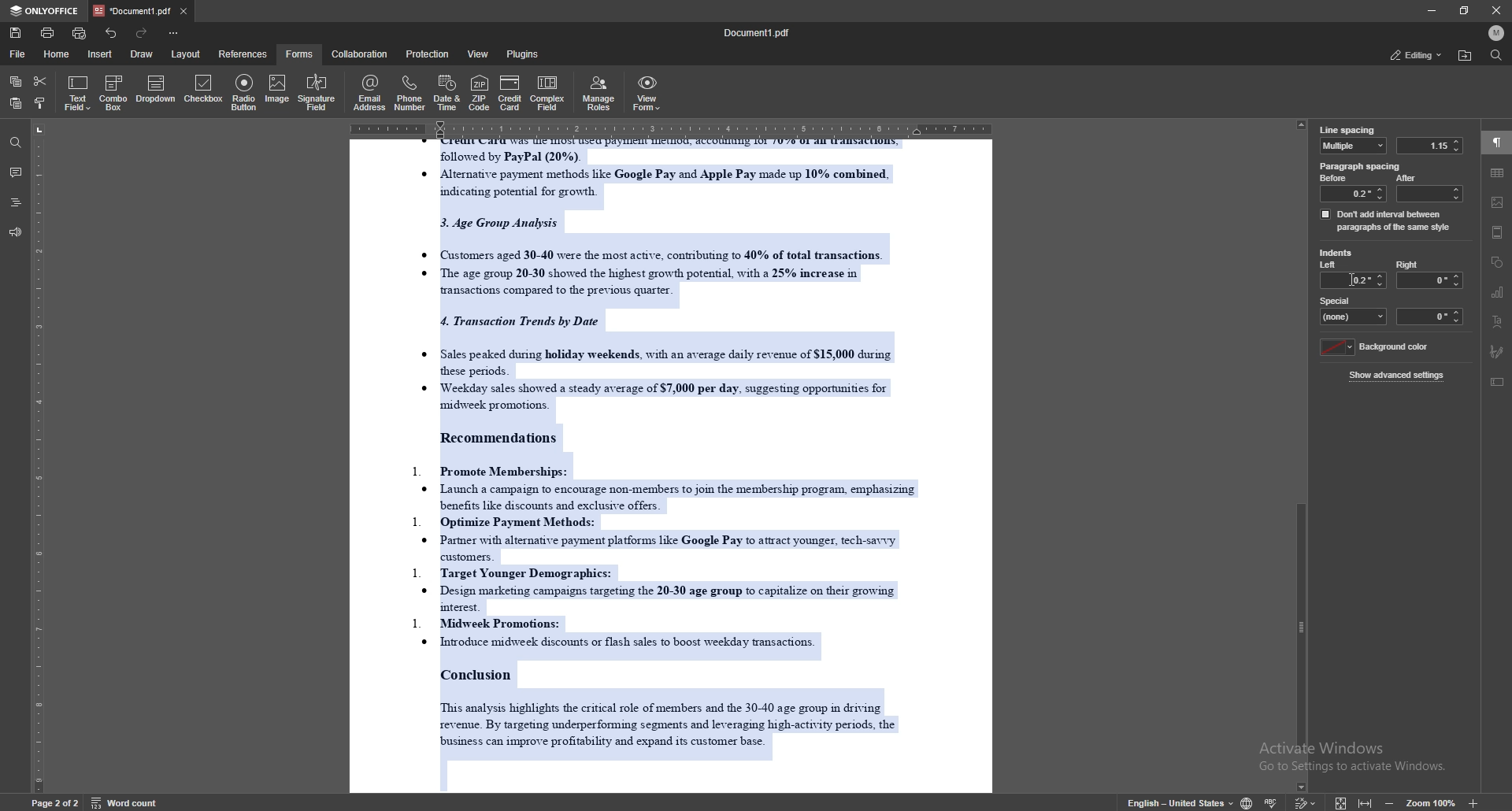 The width and height of the screenshot is (1512, 811). I want to click on view, so click(480, 54).